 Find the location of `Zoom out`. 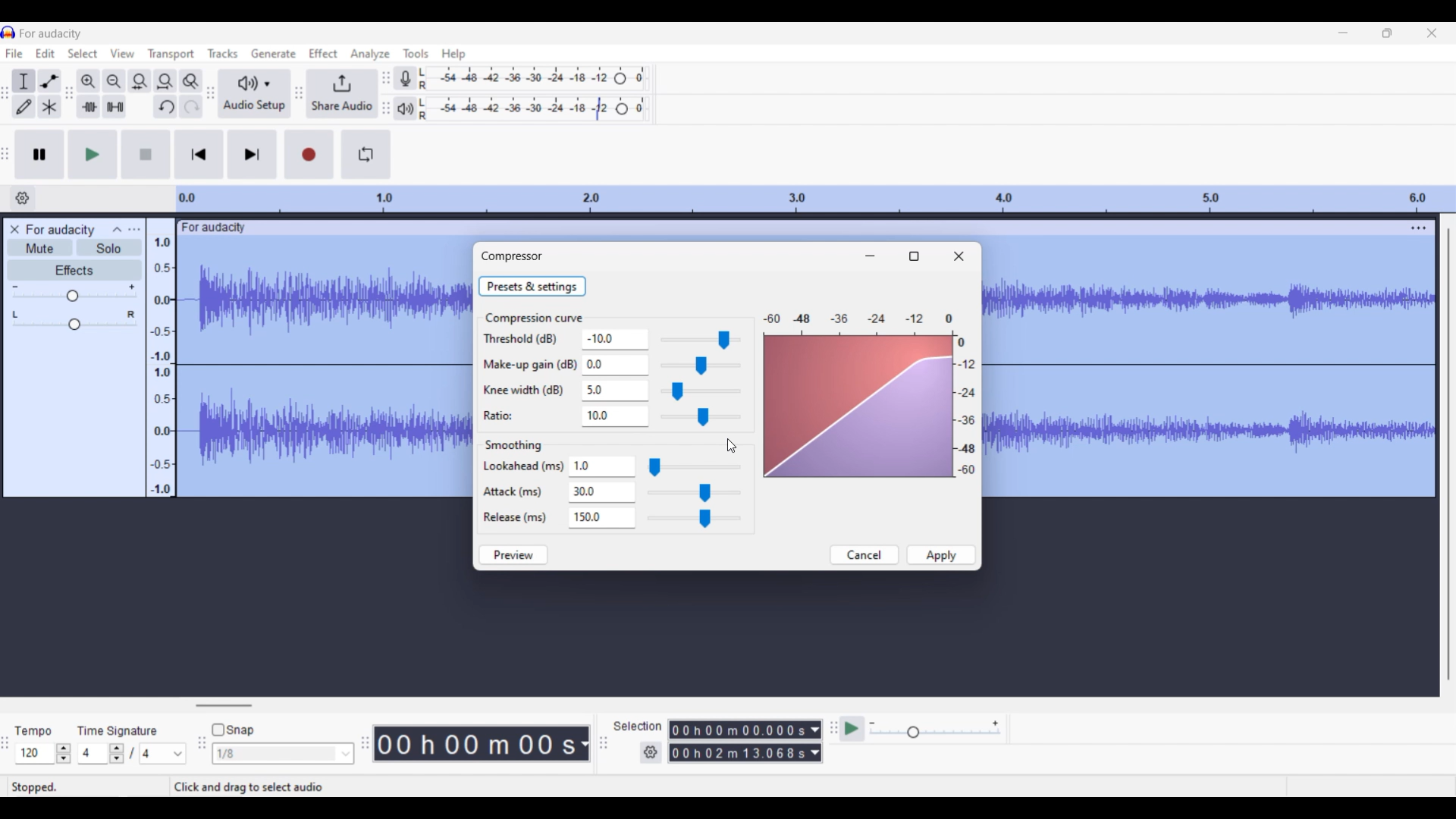

Zoom out is located at coordinates (115, 81).